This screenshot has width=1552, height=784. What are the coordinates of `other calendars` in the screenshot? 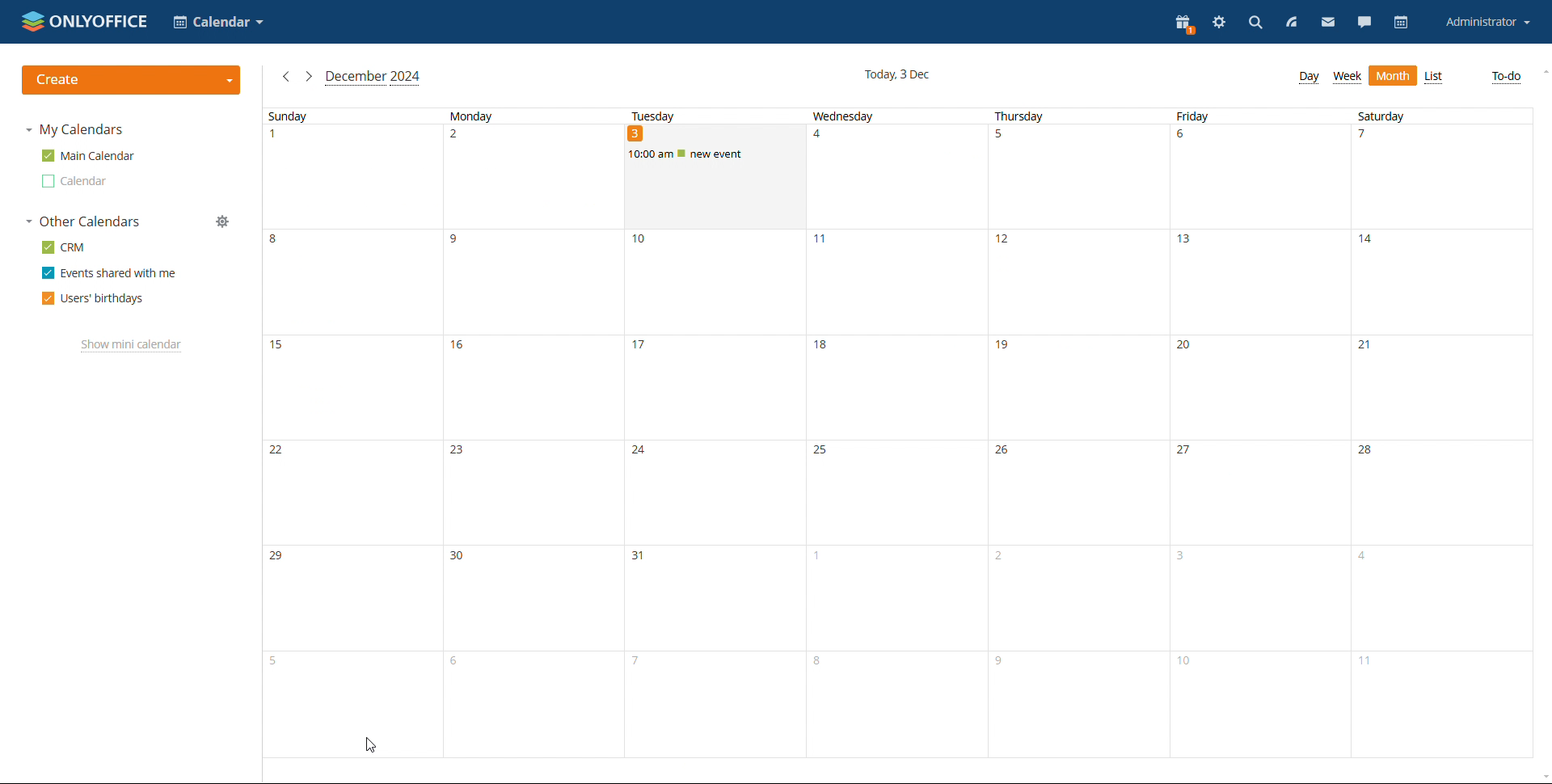 It's located at (84, 221).